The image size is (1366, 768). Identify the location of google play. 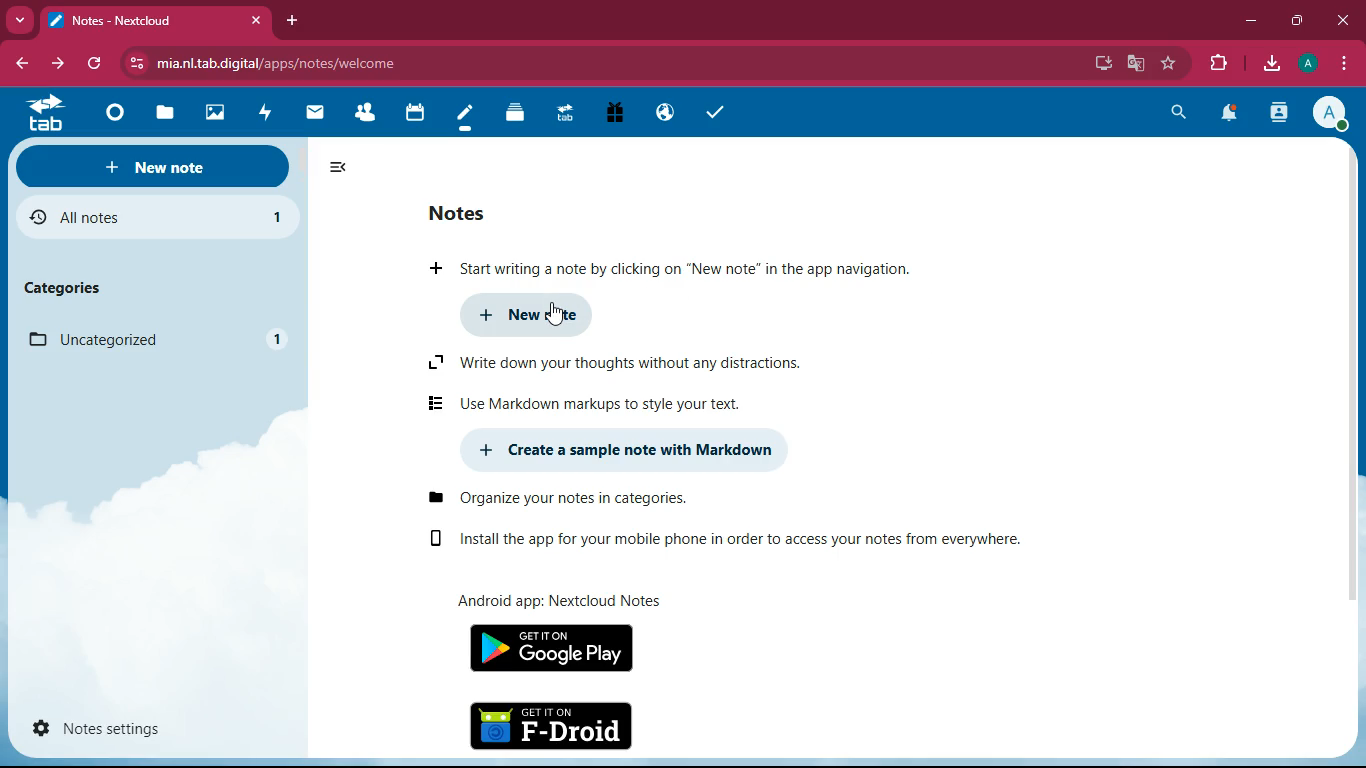
(550, 648).